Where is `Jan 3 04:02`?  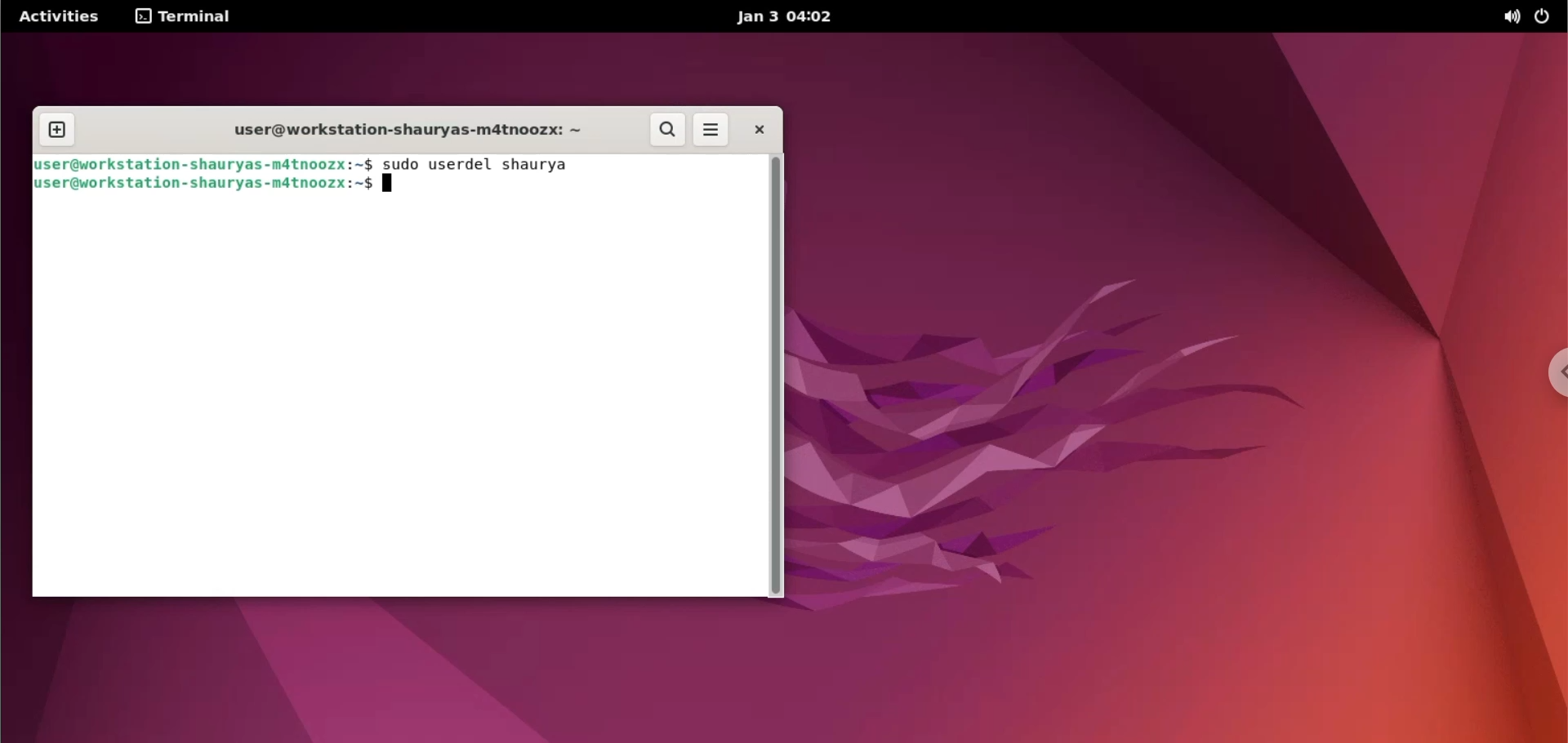
Jan 3 04:02 is located at coordinates (786, 16).